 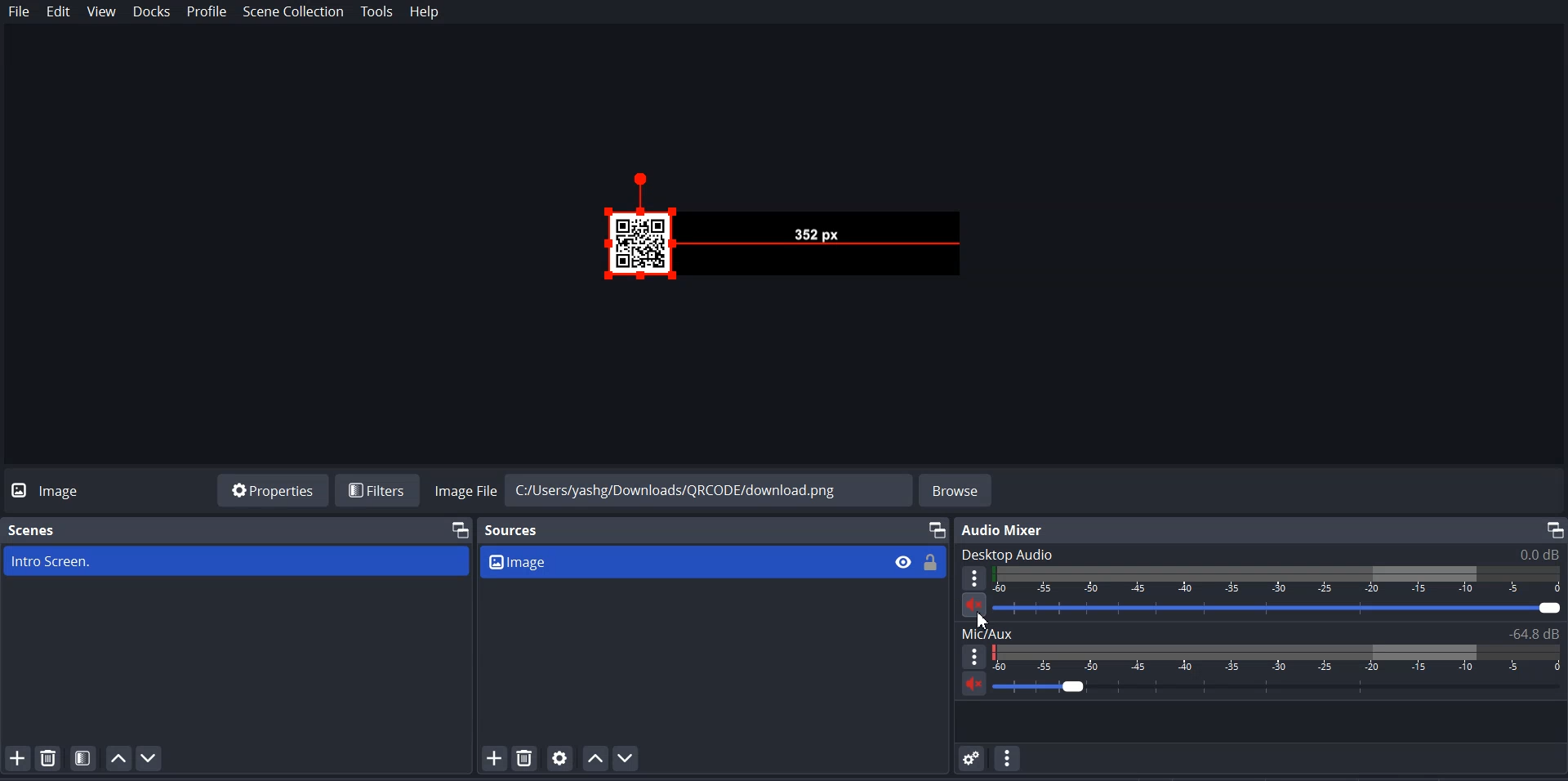 I want to click on Text, so click(x=1262, y=633).